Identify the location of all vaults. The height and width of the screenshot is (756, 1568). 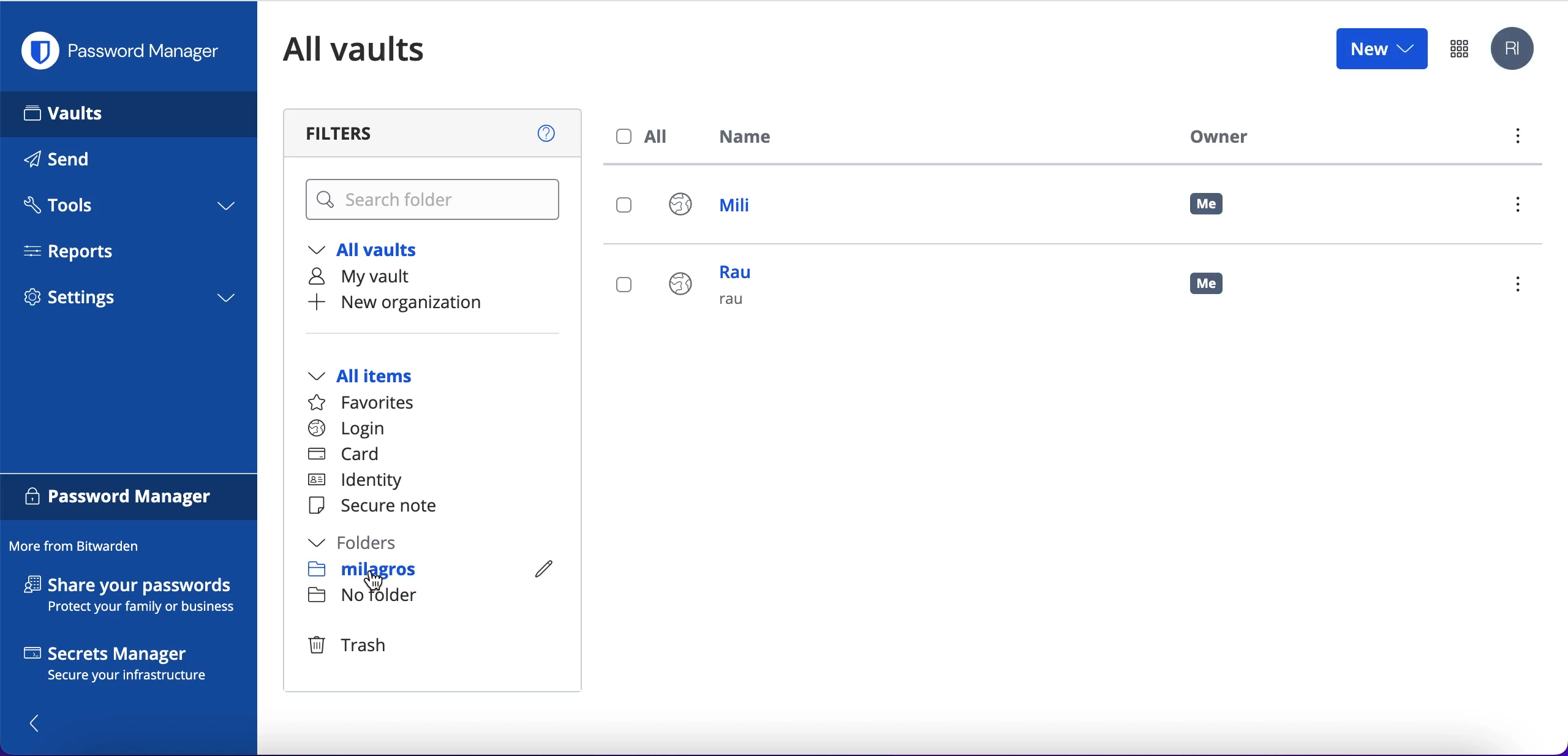
(372, 49).